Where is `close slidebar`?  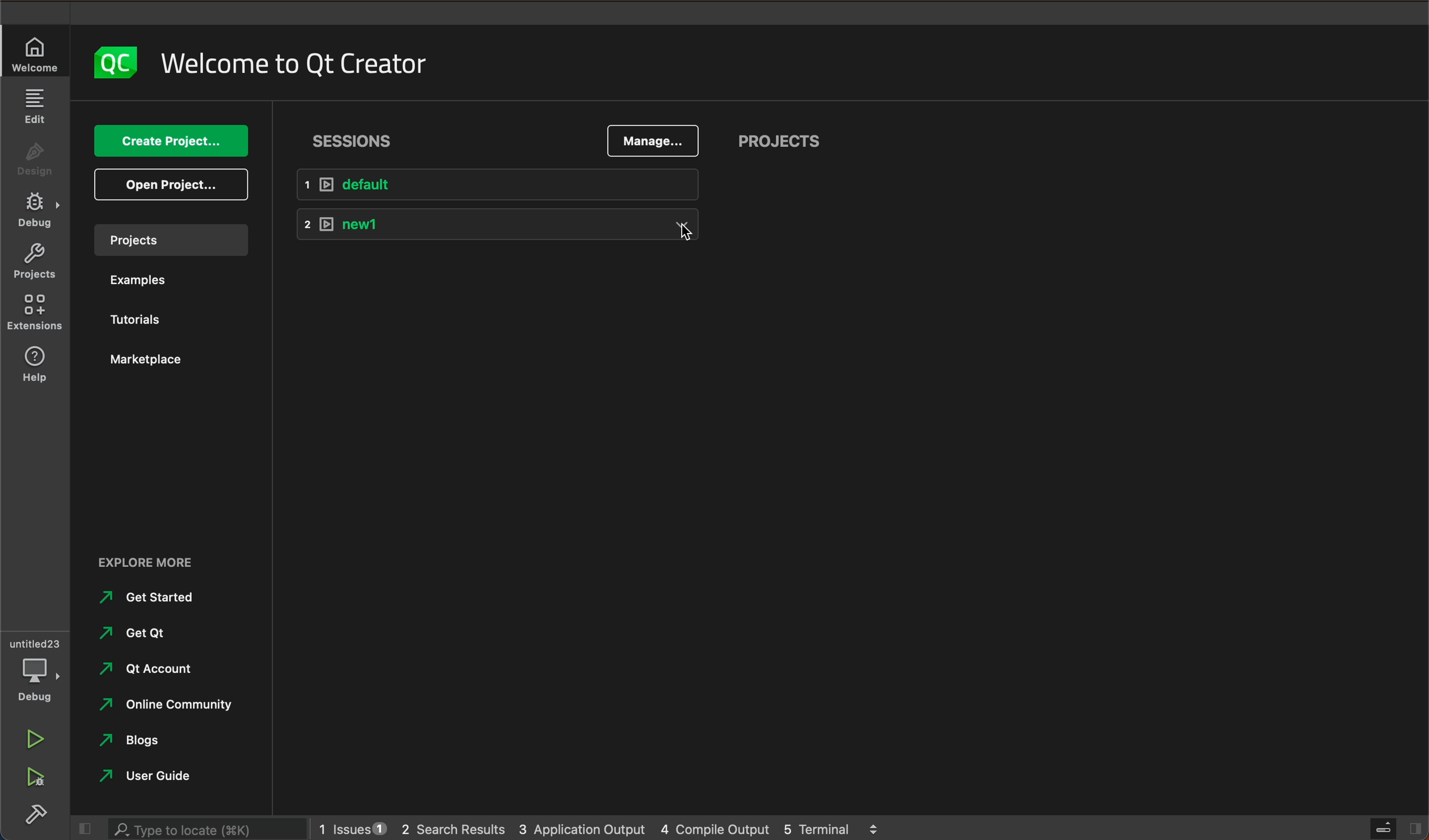
close slidebar is located at coordinates (82, 829).